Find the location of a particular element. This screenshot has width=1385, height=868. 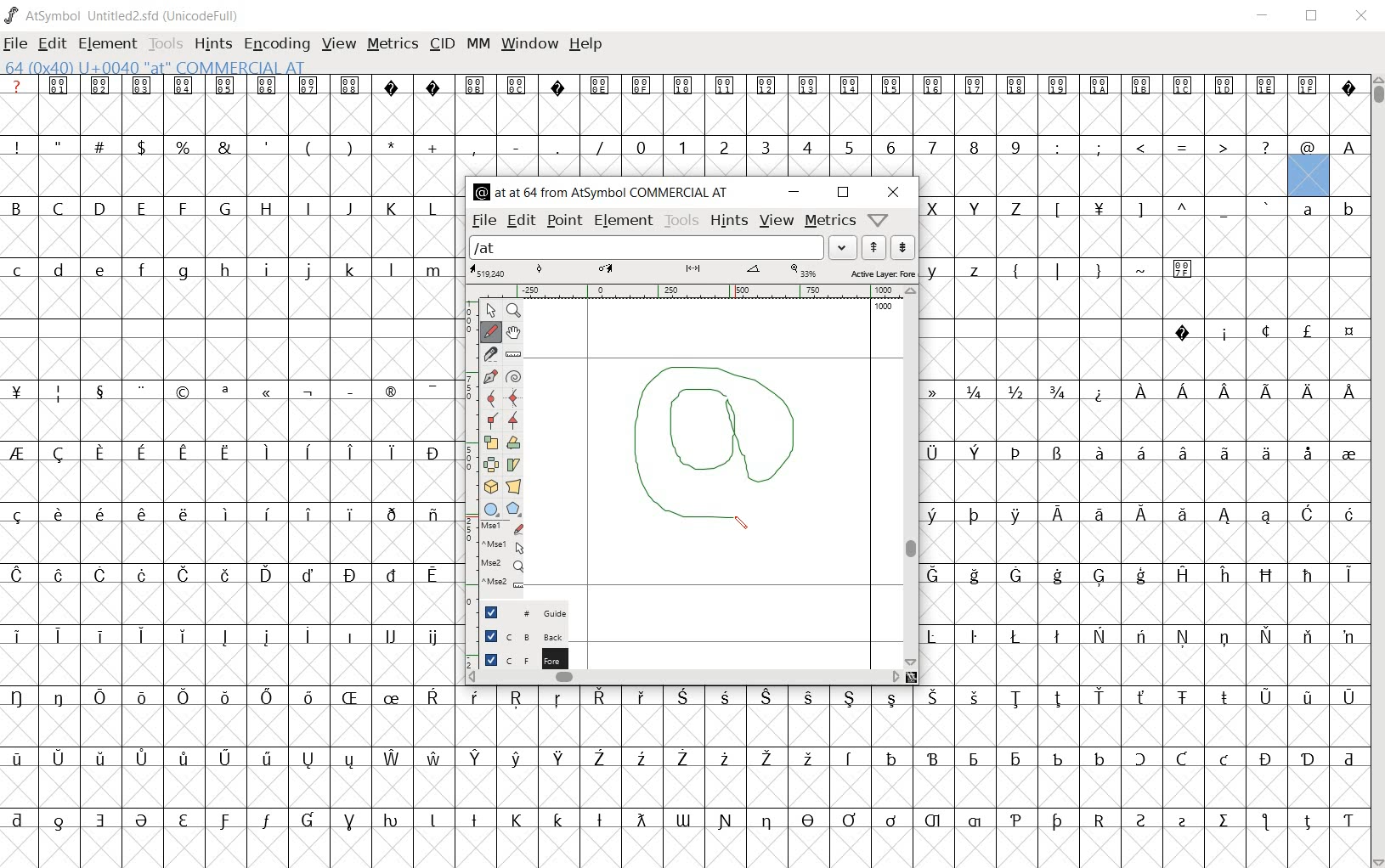

MM is located at coordinates (478, 43).